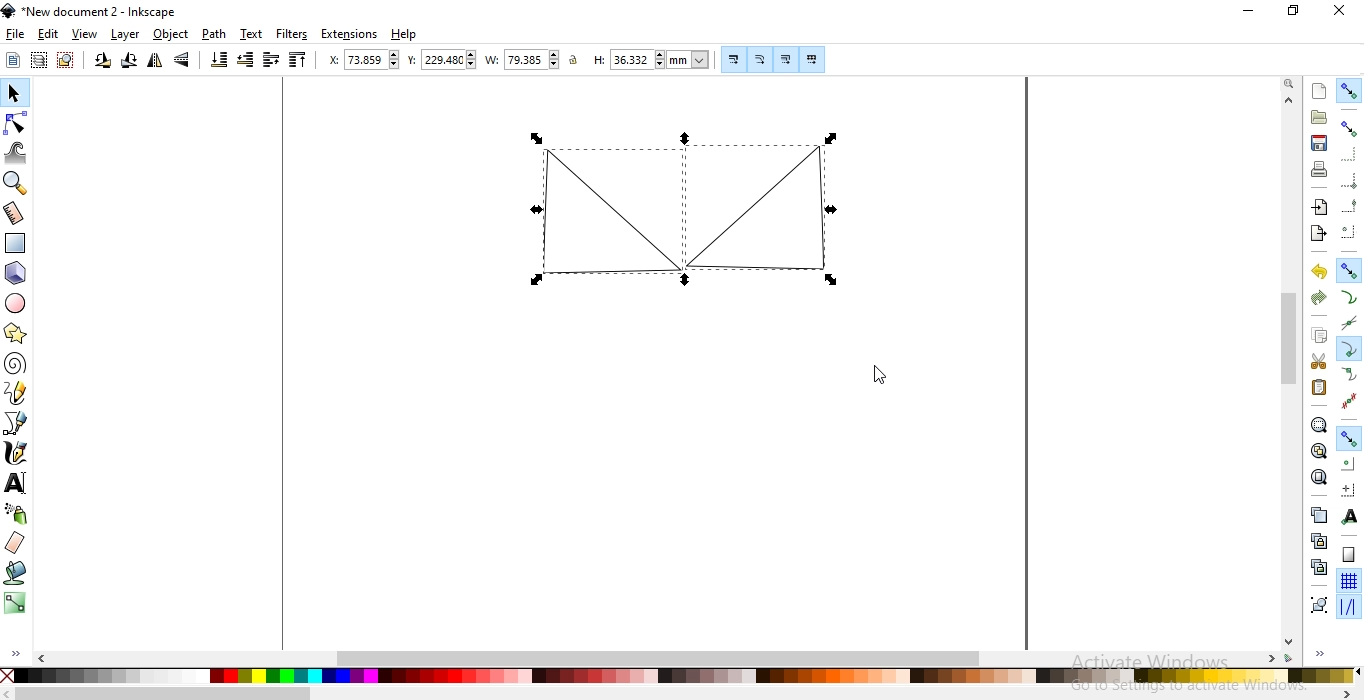 The height and width of the screenshot is (700, 1364). I want to click on spray objects by sculpting or painting, so click(17, 515).